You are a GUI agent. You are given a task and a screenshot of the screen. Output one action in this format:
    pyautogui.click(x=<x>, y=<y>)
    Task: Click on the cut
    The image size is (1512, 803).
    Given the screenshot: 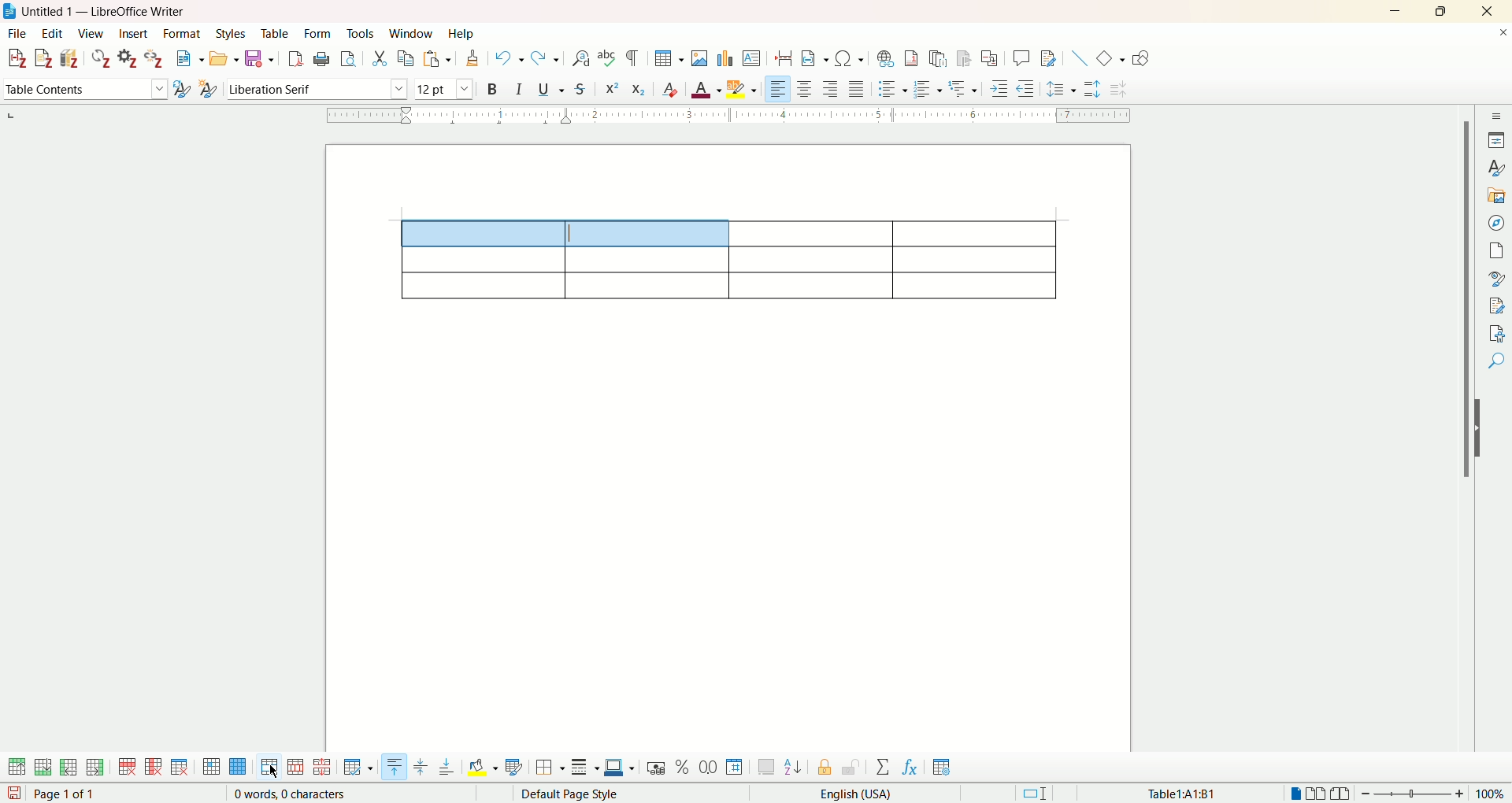 What is the action you would take?
    pyautogui.click(x=380, y=57)
    